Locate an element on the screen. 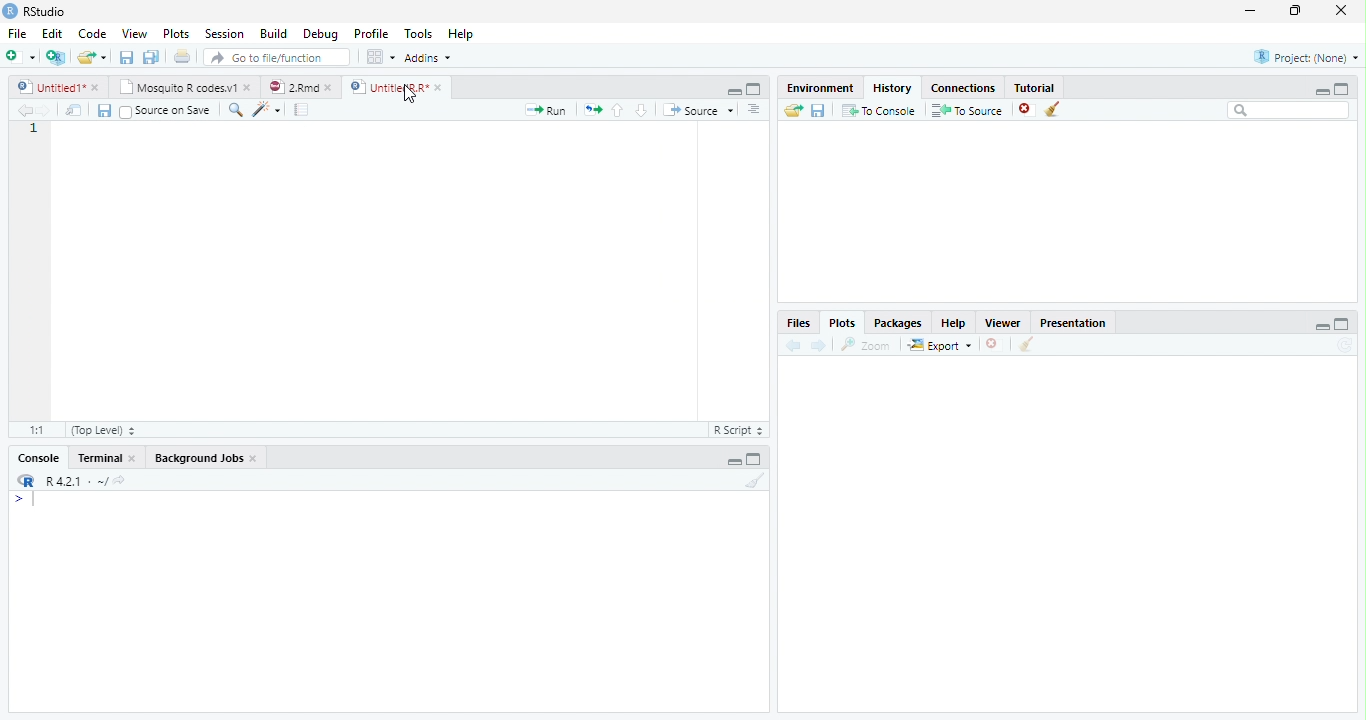 The image size is (1366, 720). Maximize is located at coordinates (754, 89).